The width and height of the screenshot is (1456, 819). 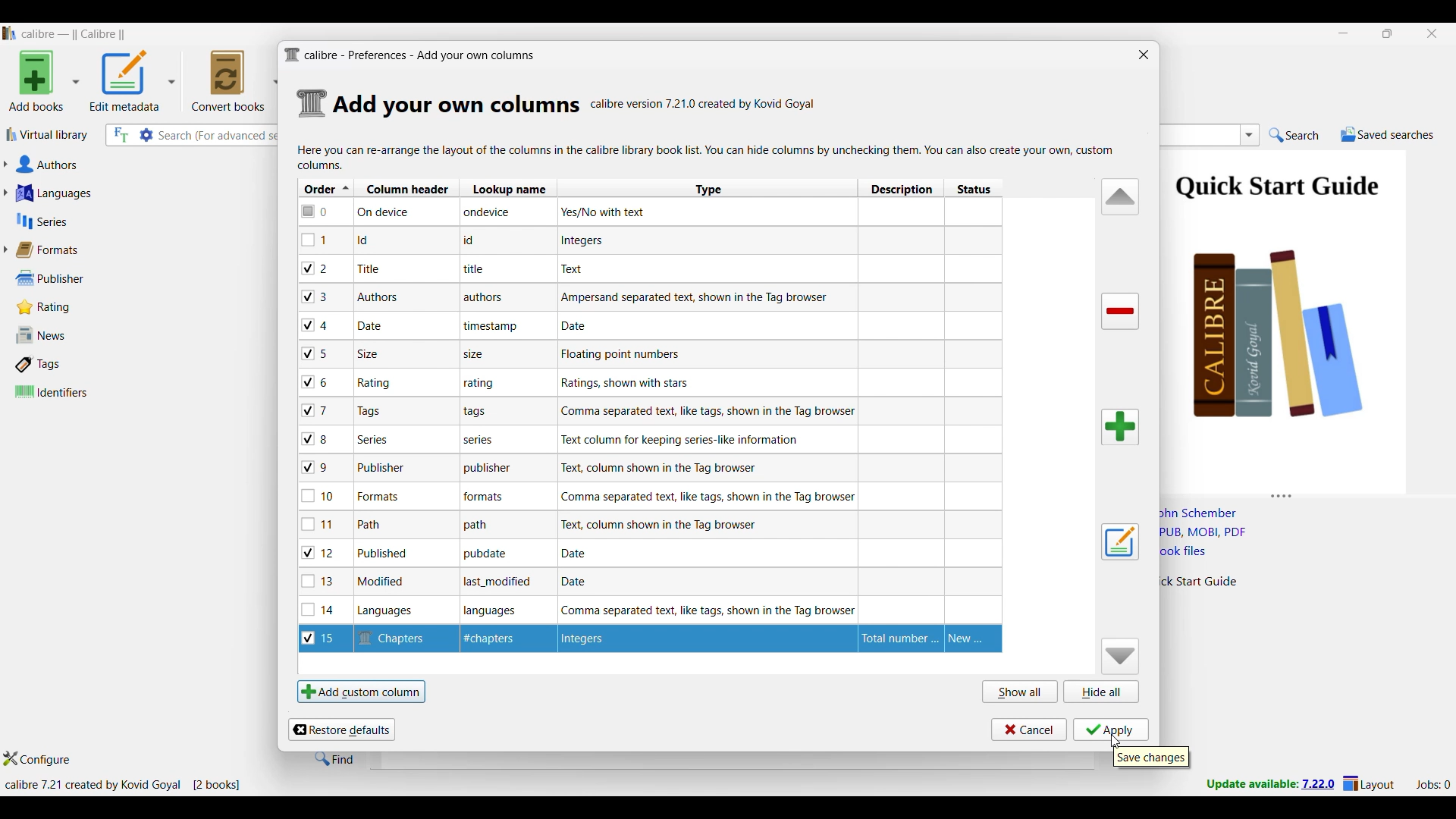 I want to click on Explanation, so click(x=585, y=241).